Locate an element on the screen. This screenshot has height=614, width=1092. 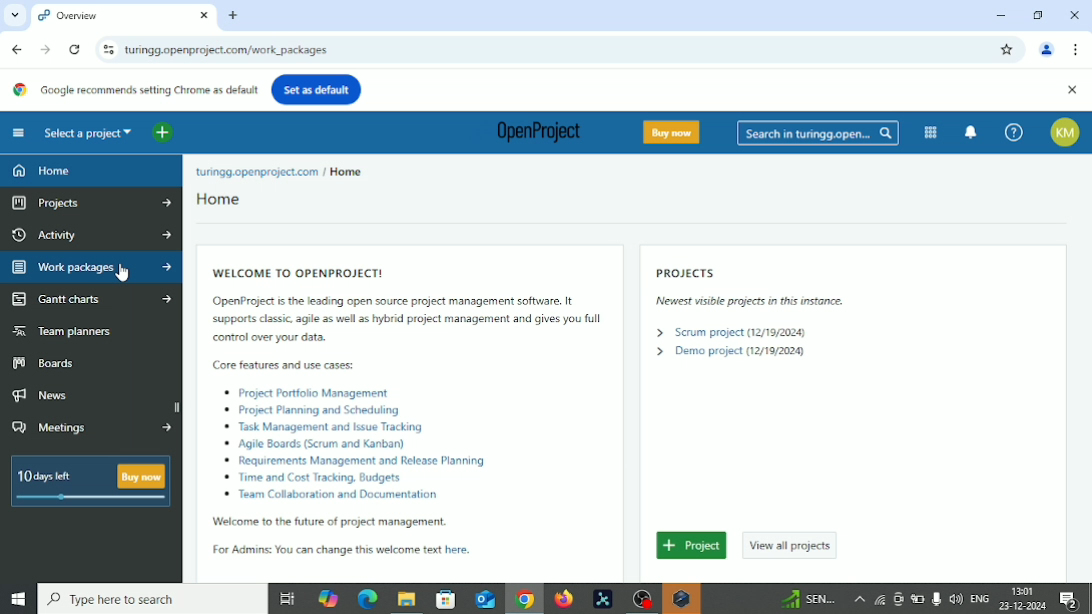
Account is located at coordinates (1047, 51).